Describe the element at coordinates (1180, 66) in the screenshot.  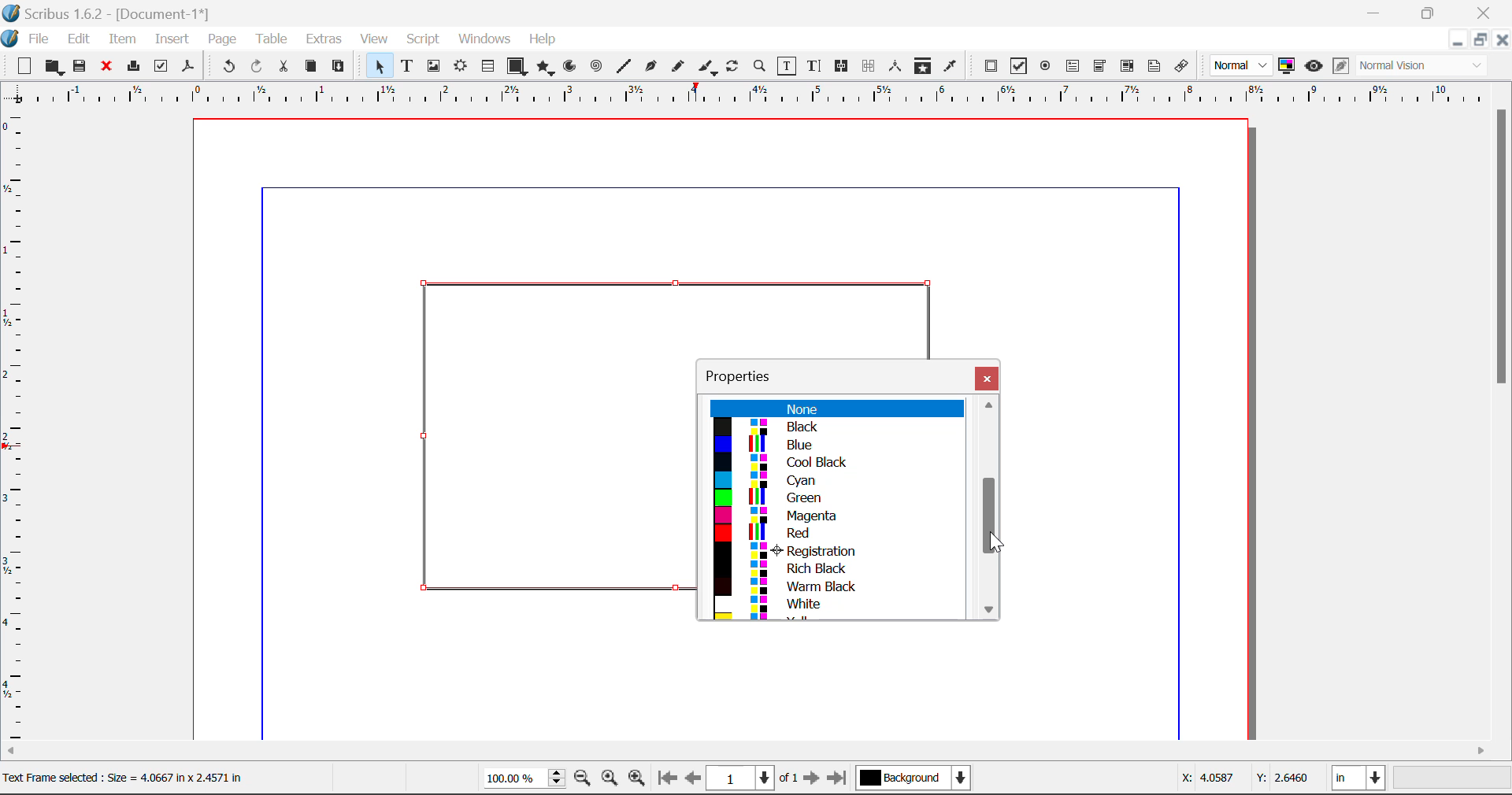
I see `Link Annotation` at that location.